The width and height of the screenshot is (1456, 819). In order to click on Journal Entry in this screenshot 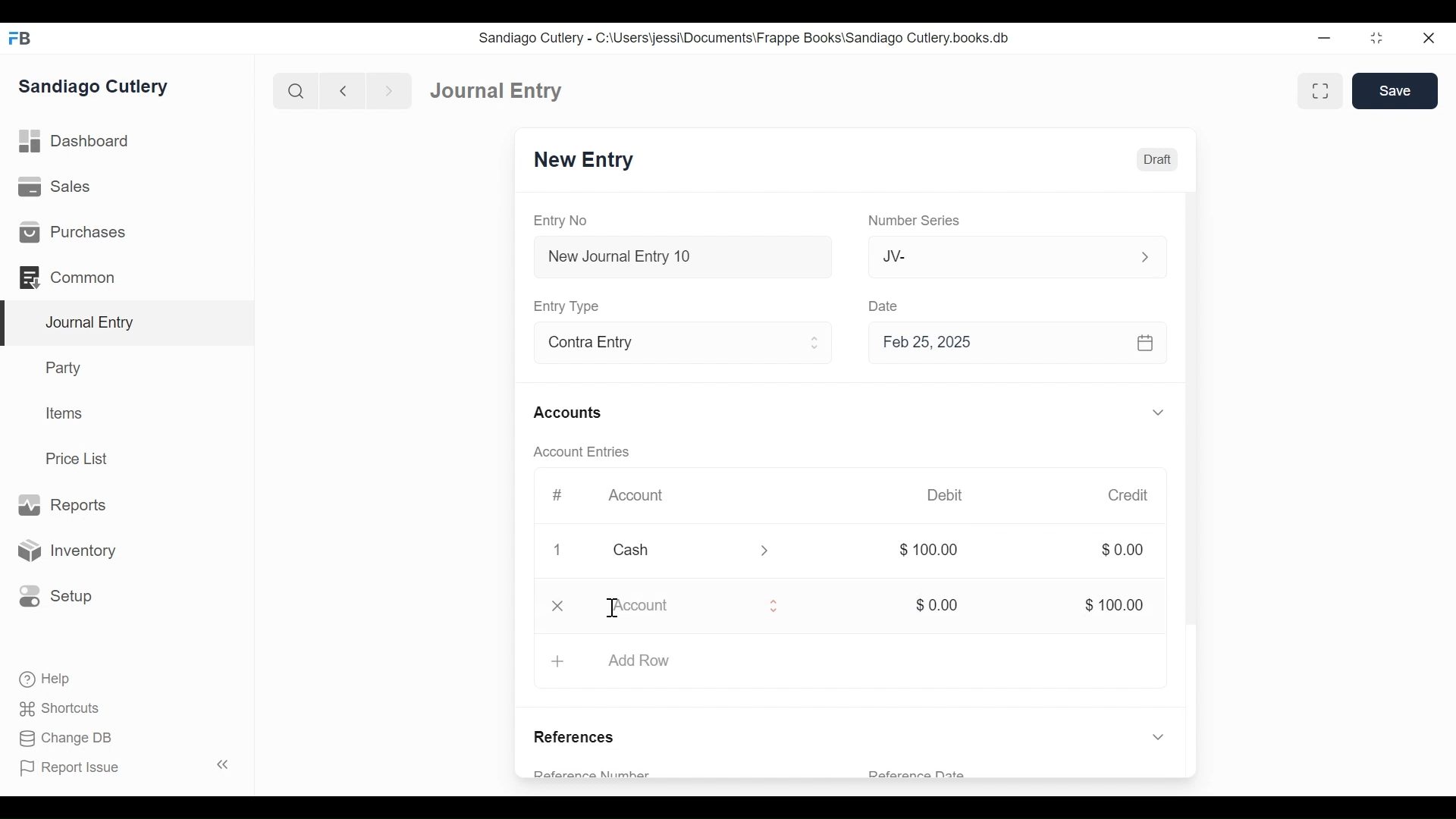, I will do `click(499, 92)`.